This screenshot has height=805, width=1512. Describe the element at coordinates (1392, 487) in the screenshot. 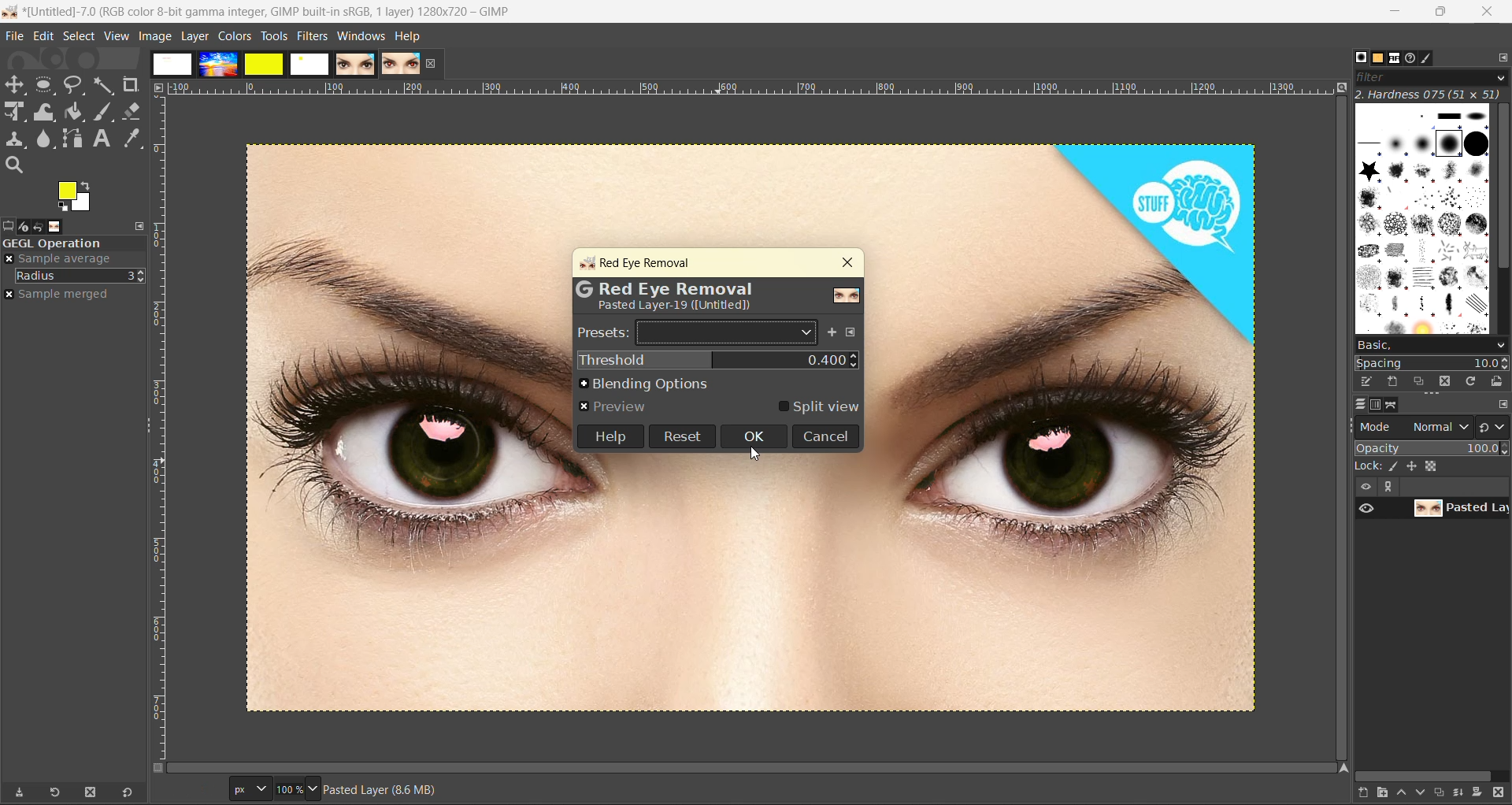

I see `expand` at that location.